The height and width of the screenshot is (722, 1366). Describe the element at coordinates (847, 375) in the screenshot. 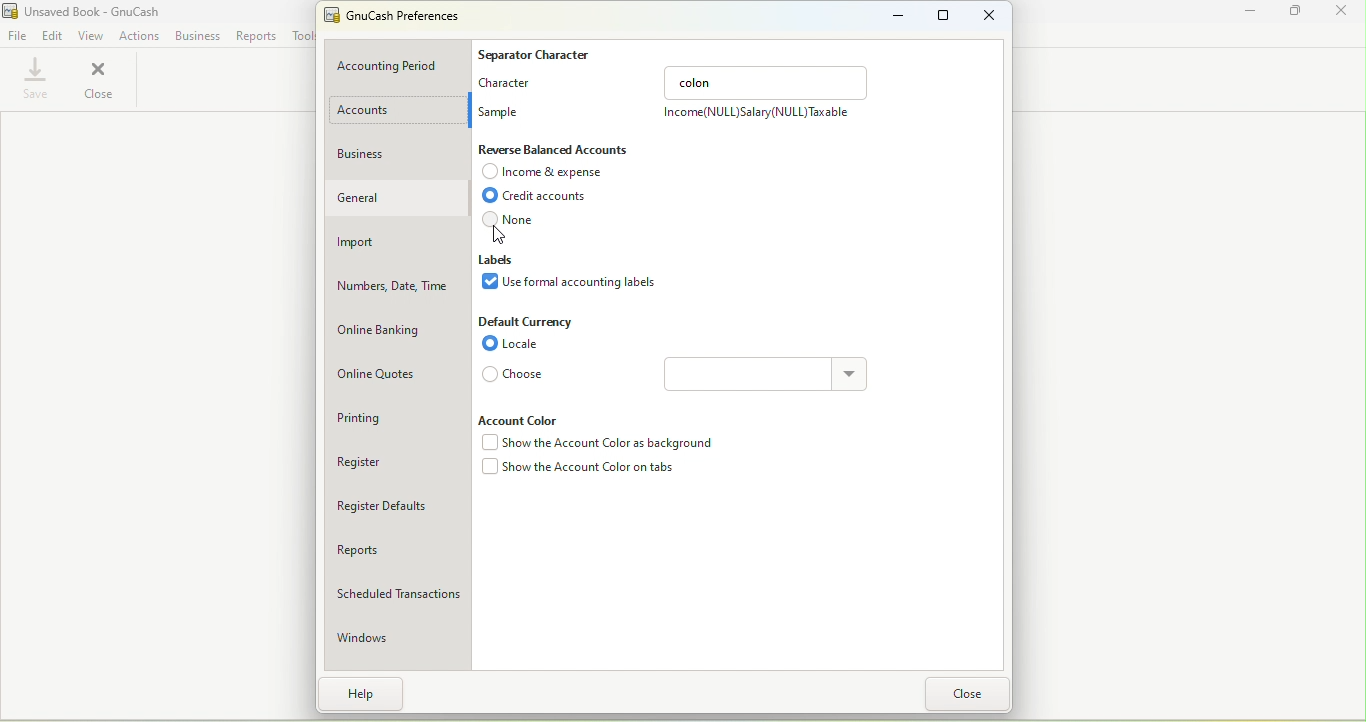

I see `Drop down` at that location.